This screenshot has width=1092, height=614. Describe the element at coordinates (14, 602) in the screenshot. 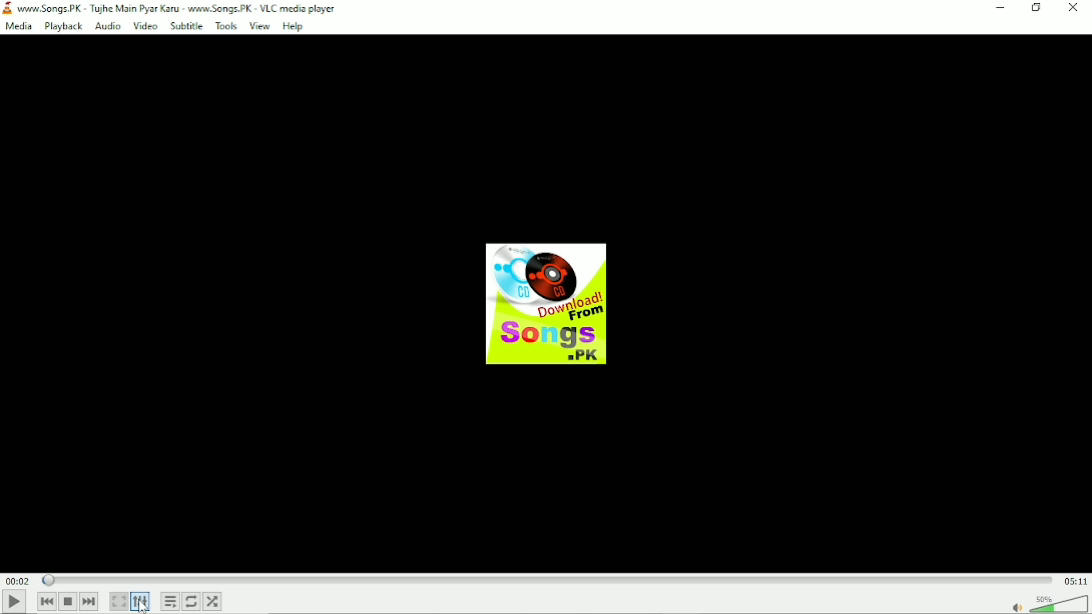

I see `Play` at that location.